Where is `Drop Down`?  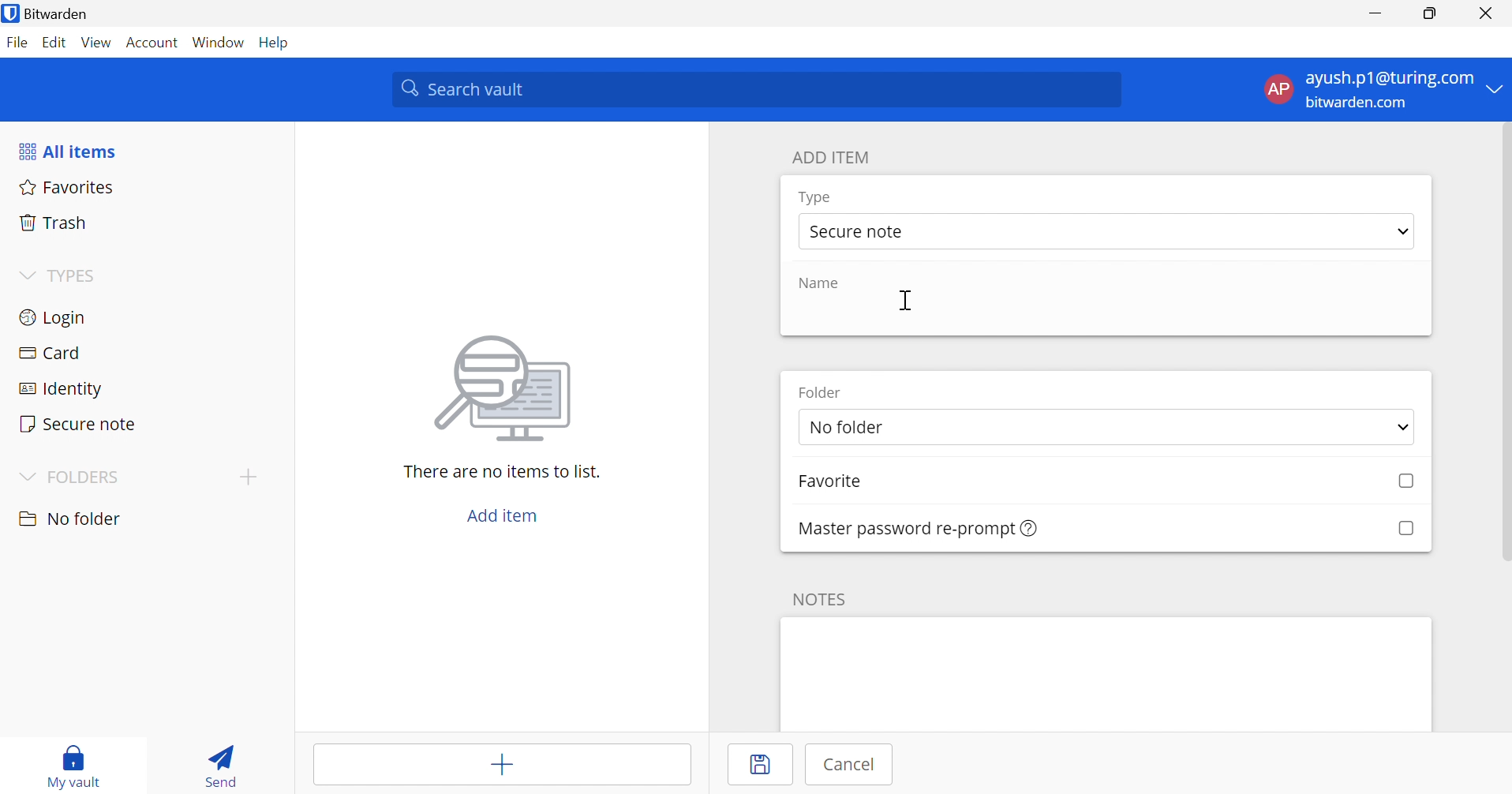
Drop Down is located at coordinates (25, 475).